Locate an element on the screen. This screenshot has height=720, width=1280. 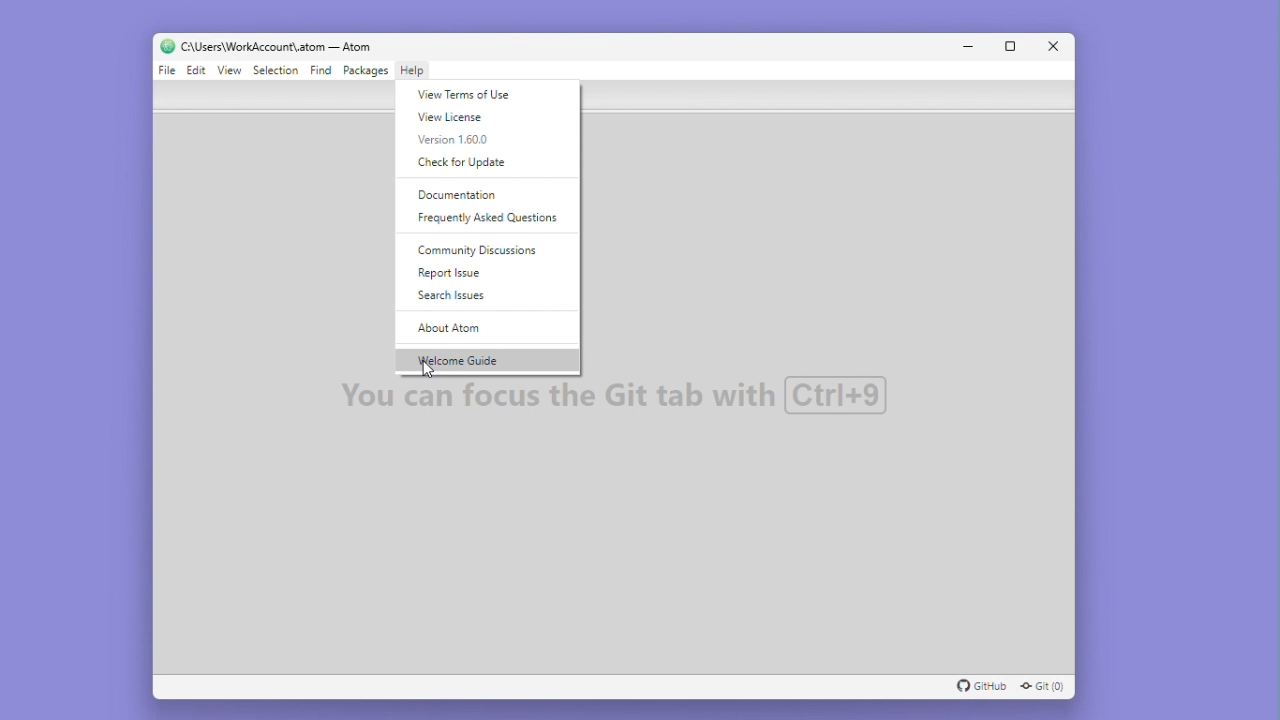
Frequently asked questions is located at coordinates (490, 215).